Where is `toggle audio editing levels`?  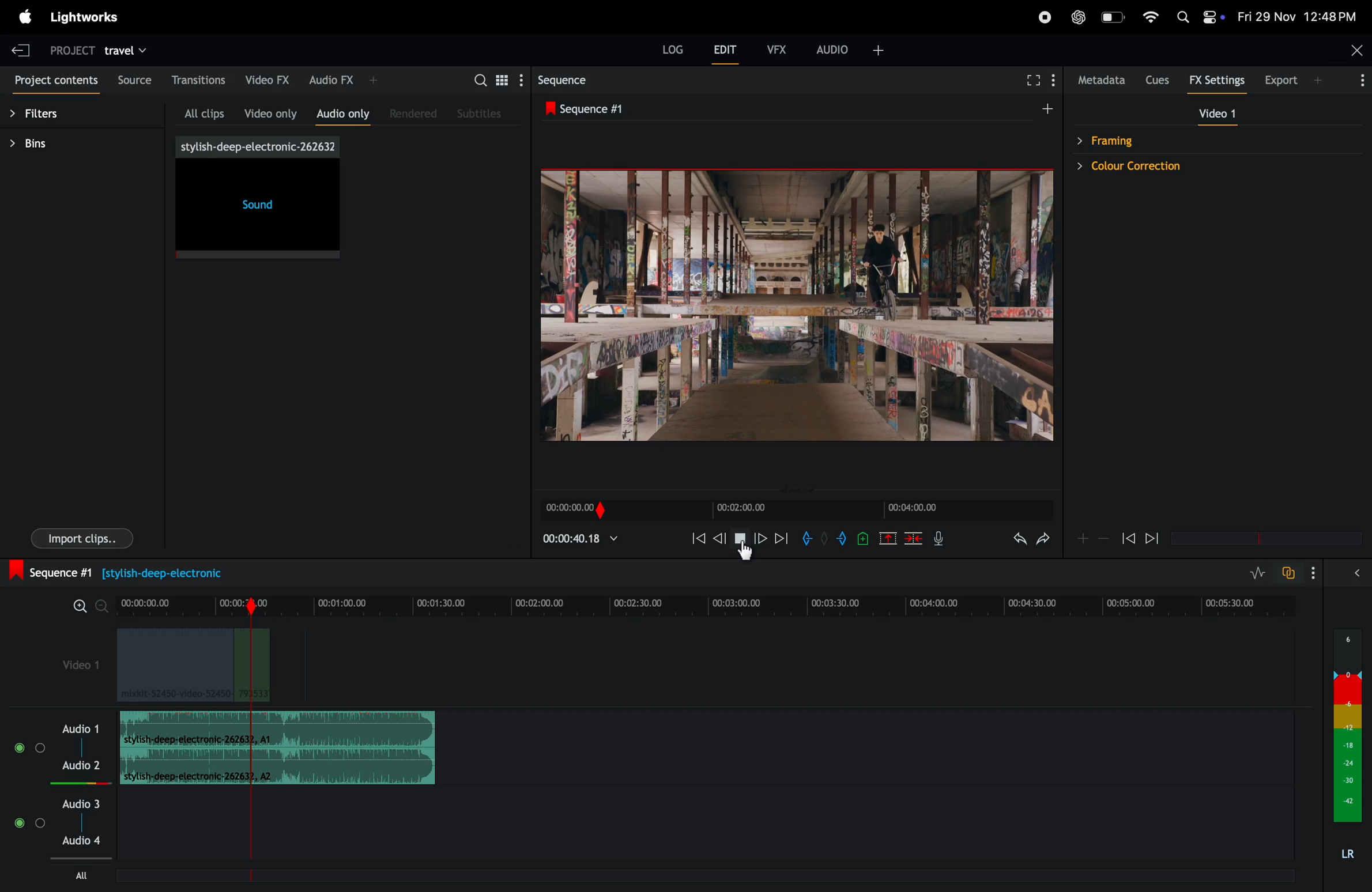
toggle audio editing levels is located at coordinates (1252, 573).